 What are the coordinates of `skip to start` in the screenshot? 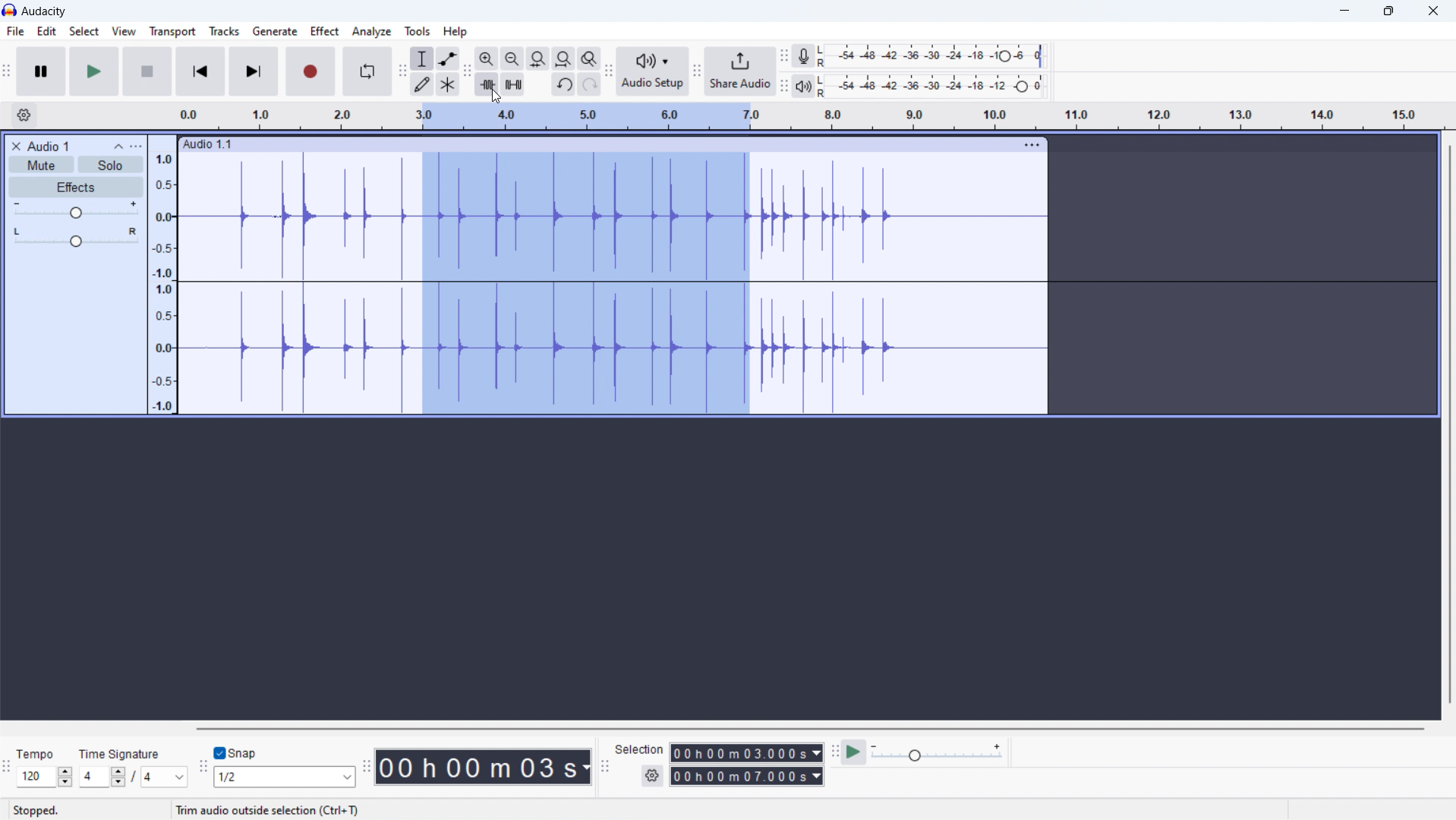 It's located at (200, 71).